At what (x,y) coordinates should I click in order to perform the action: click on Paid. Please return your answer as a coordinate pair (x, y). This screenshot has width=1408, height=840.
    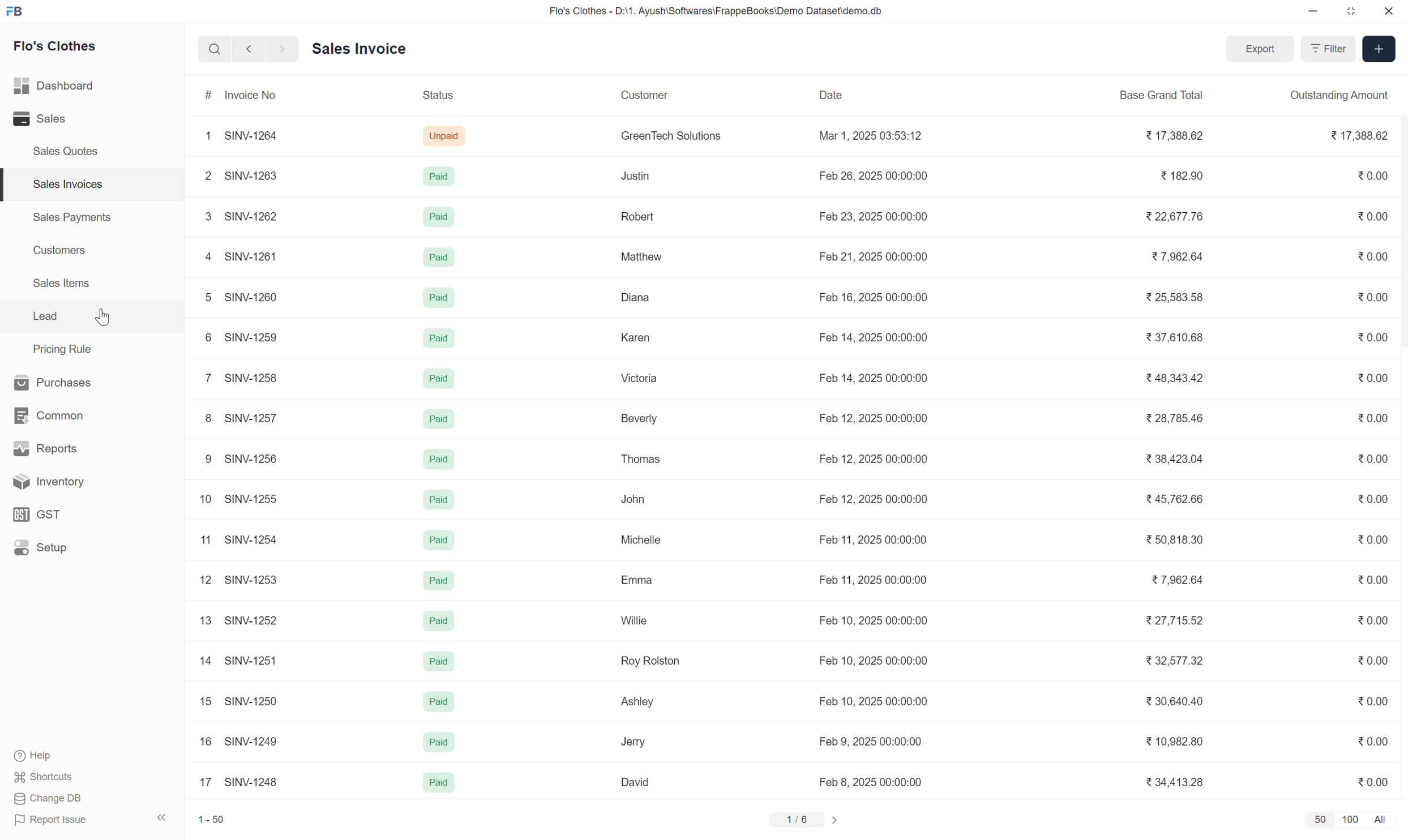
    Looking at the image, I should click on (438, 218).